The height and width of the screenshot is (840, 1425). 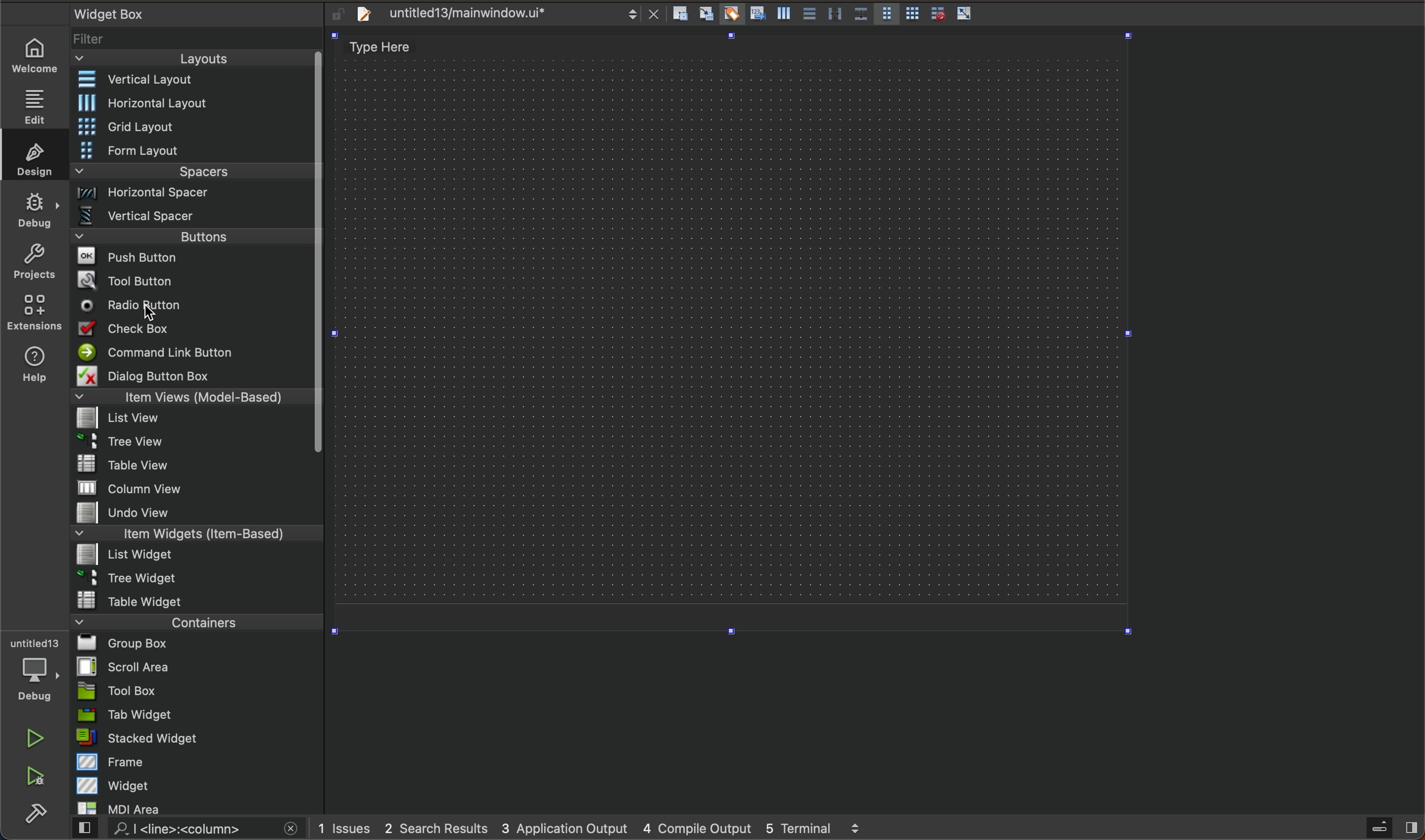 What do you see at coordinates (935, 14) in the screenshot?
I see `` at bounding box center [935, 14].